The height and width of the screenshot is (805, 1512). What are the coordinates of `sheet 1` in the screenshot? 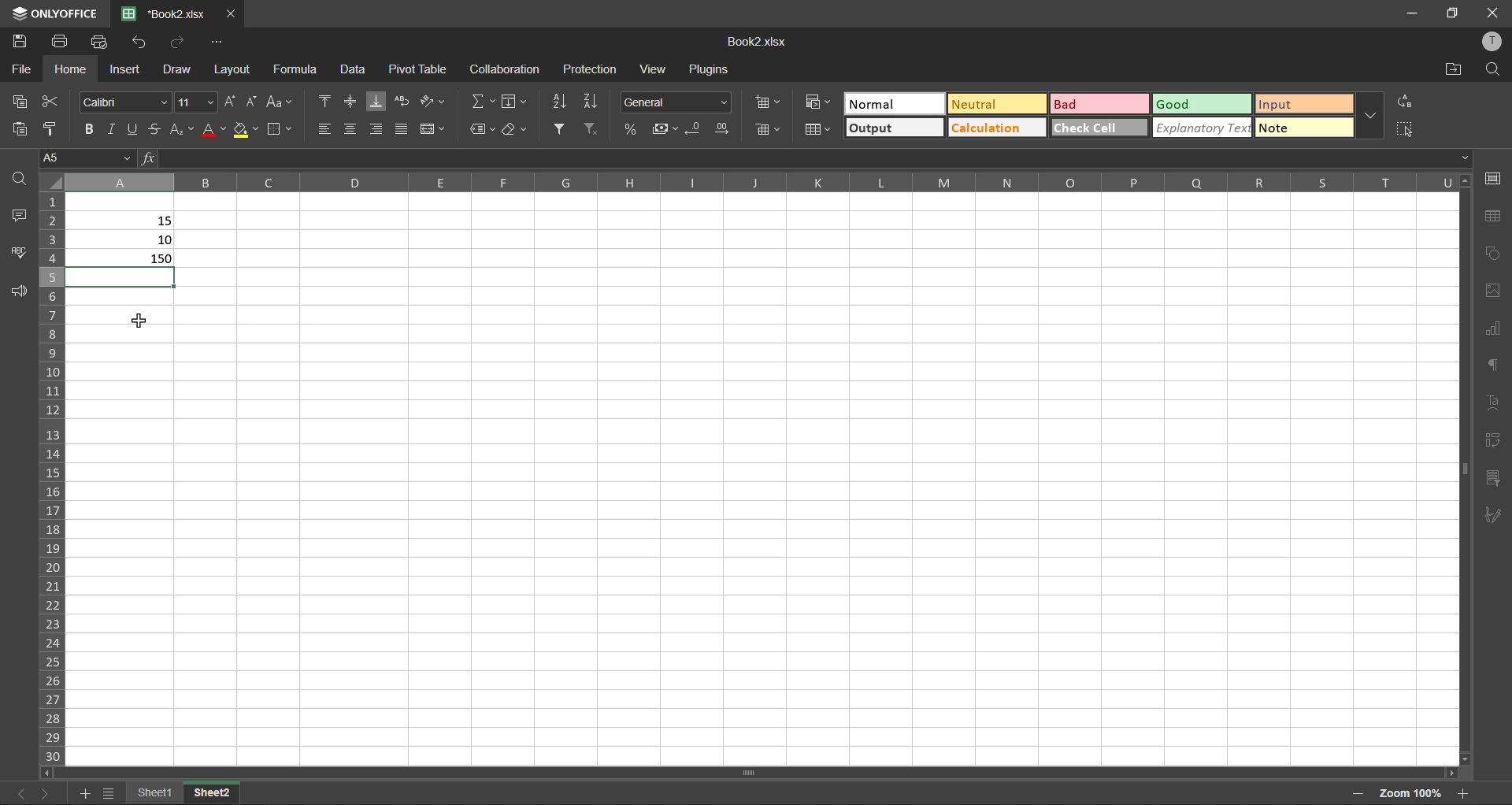 It's located at (154, 793).